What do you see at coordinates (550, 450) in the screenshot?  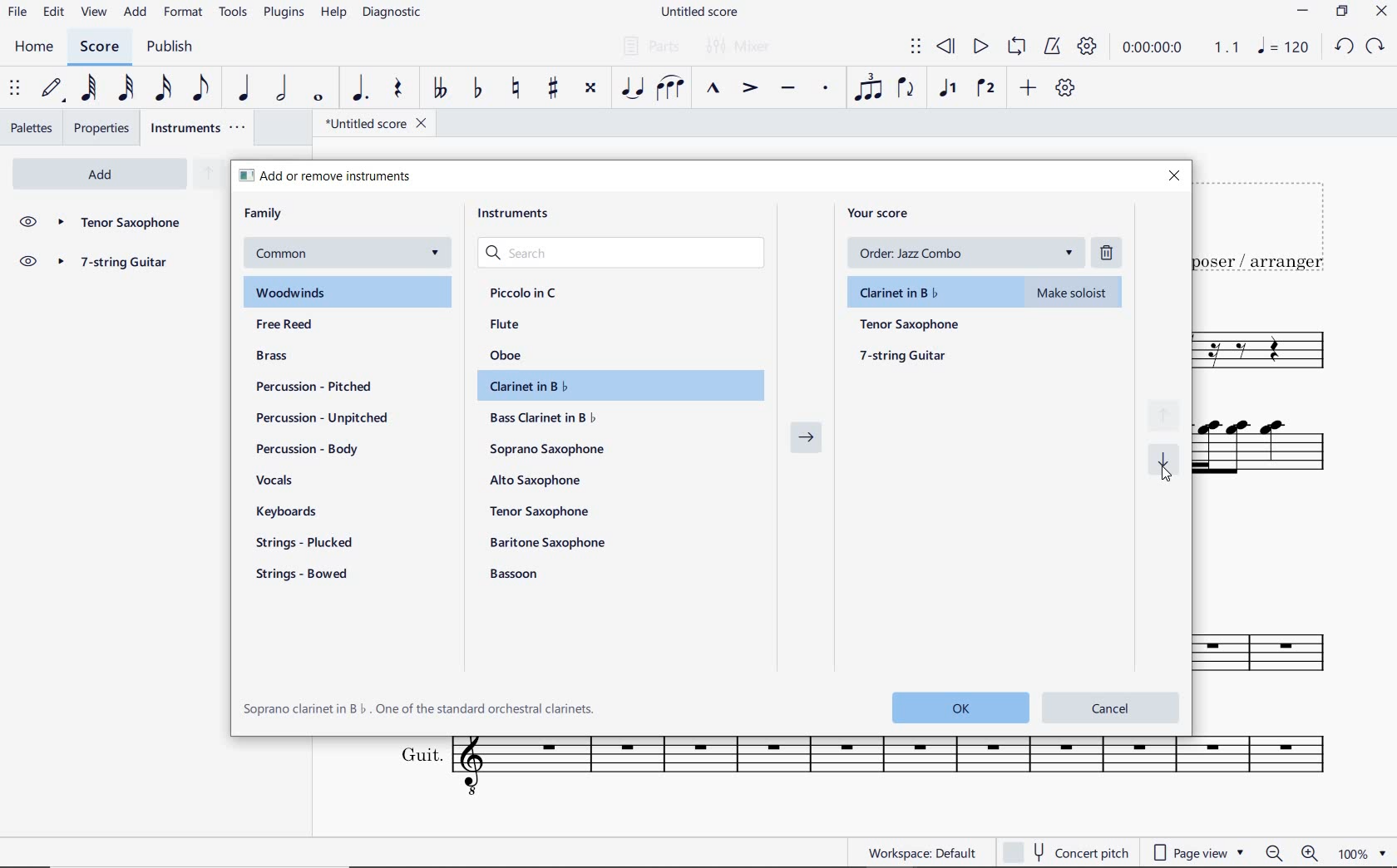 I see `soprano saxophone` at bounding box center [550, 450].